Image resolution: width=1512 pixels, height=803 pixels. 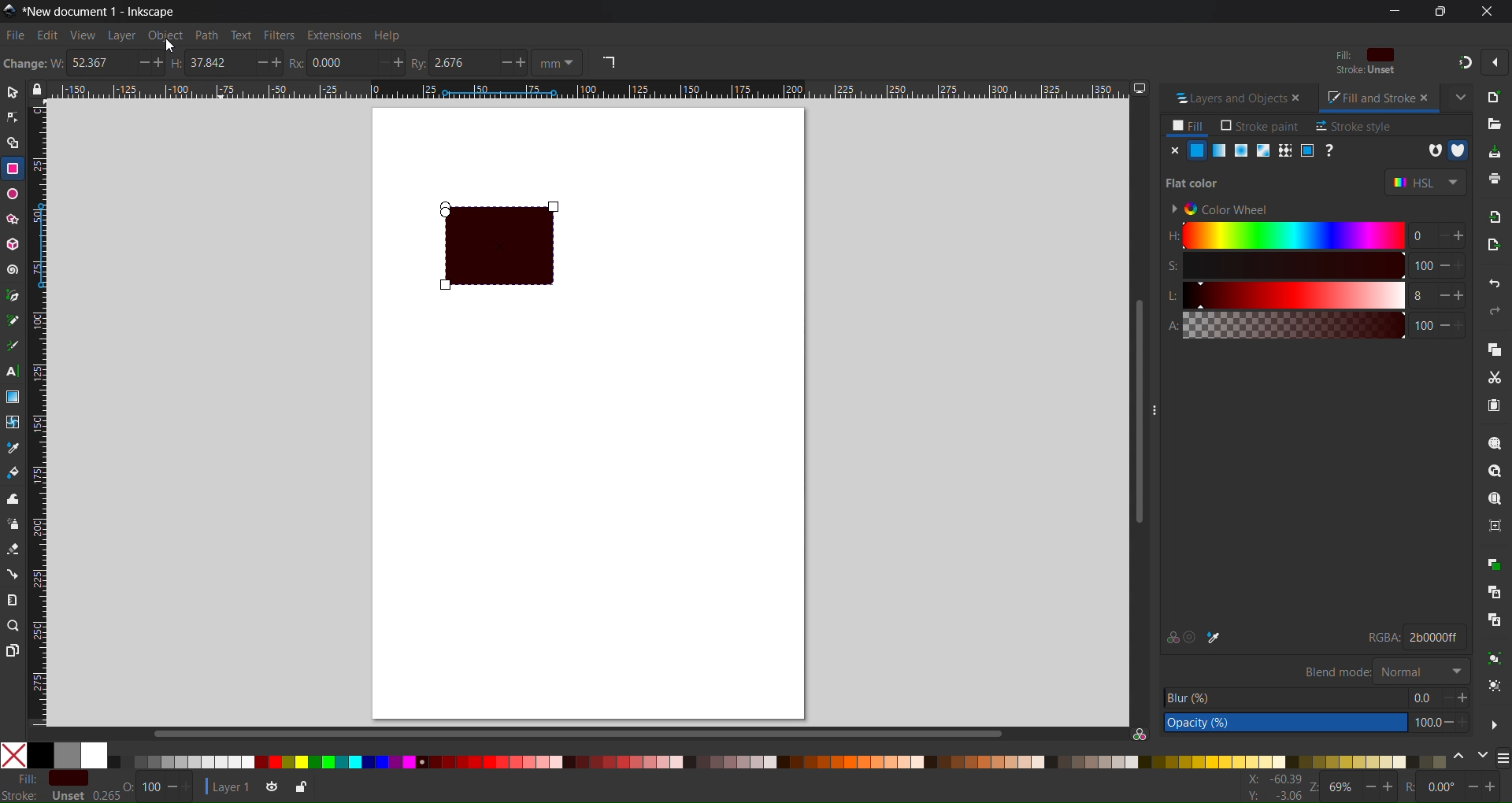 I want to click on Zoom in, so click(x=1389, y=788).